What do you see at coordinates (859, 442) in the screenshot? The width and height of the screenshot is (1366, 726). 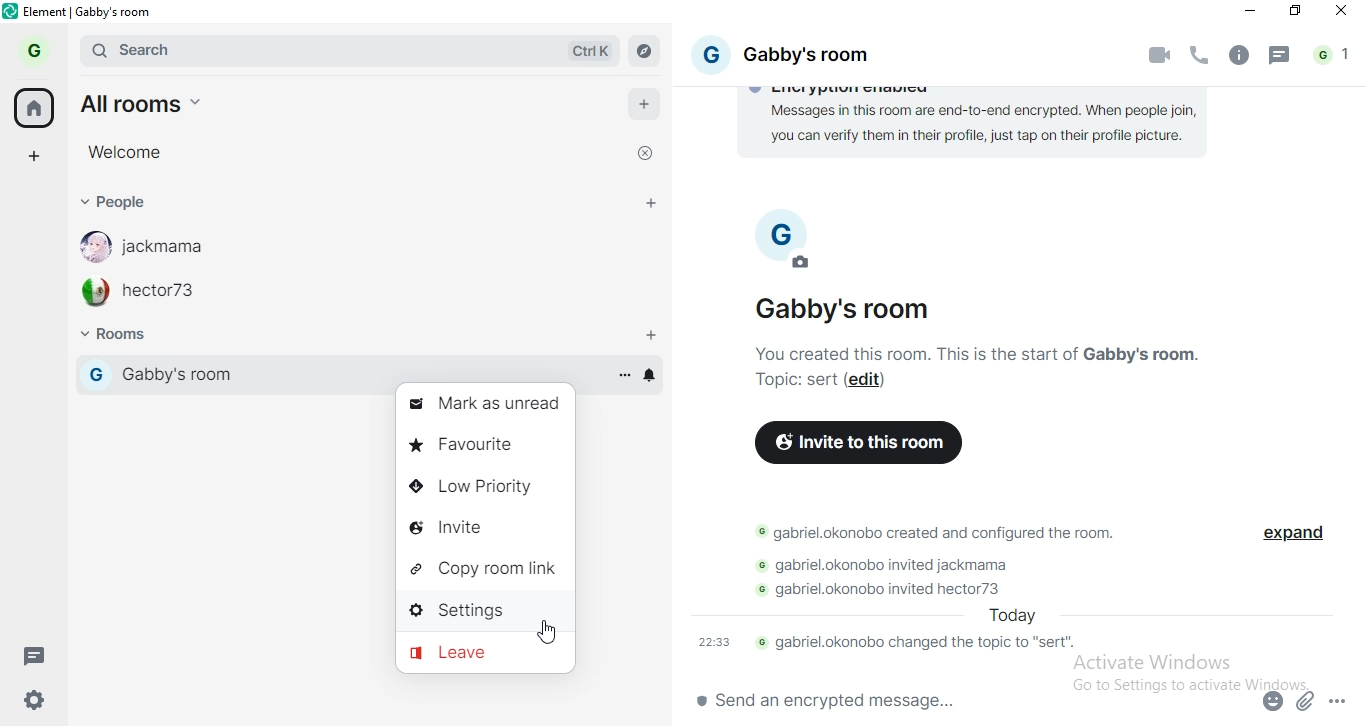 I see `invite to this room` at bounding box center [859, 442].